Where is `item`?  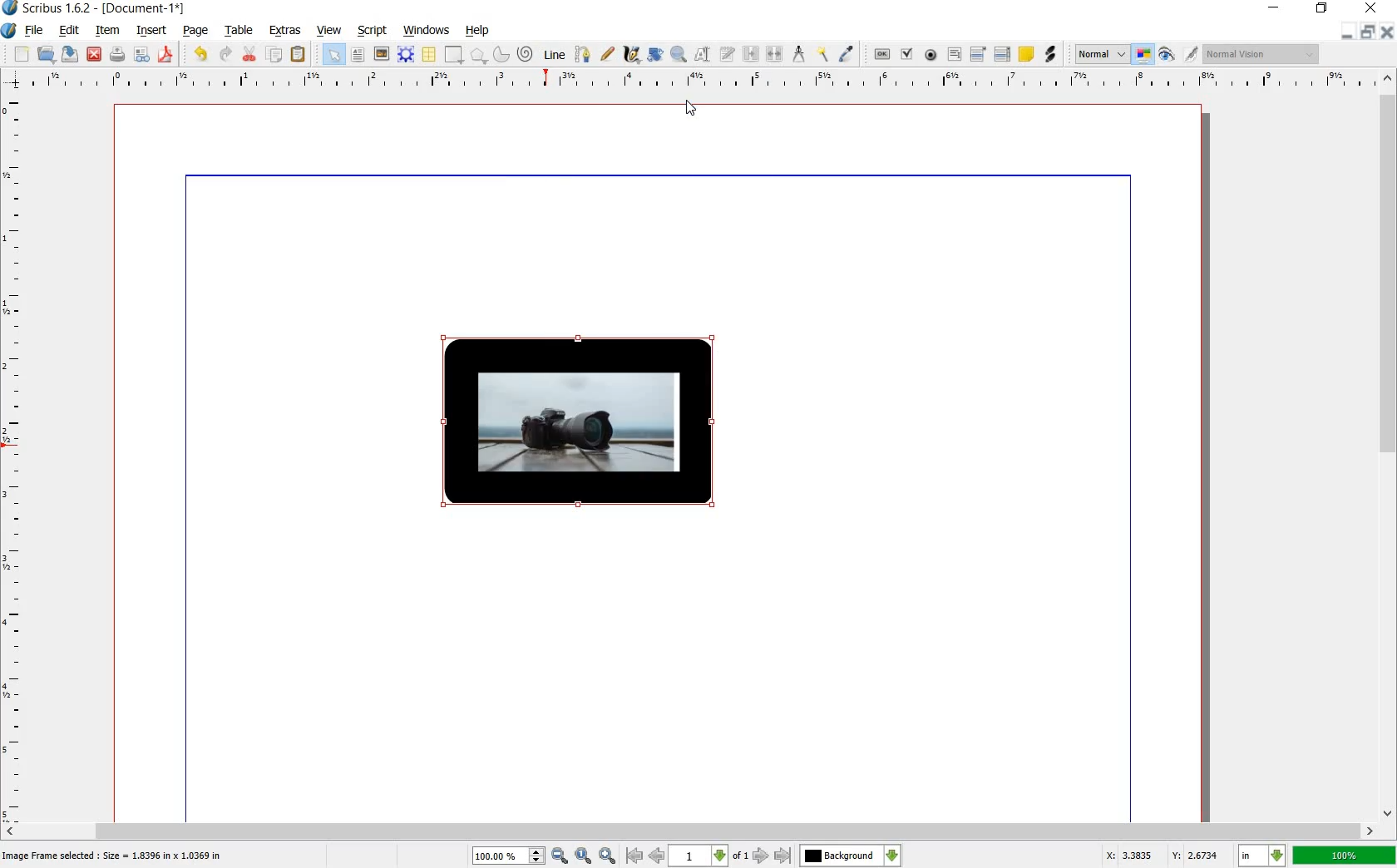 item is located at coordinates (105, 30).